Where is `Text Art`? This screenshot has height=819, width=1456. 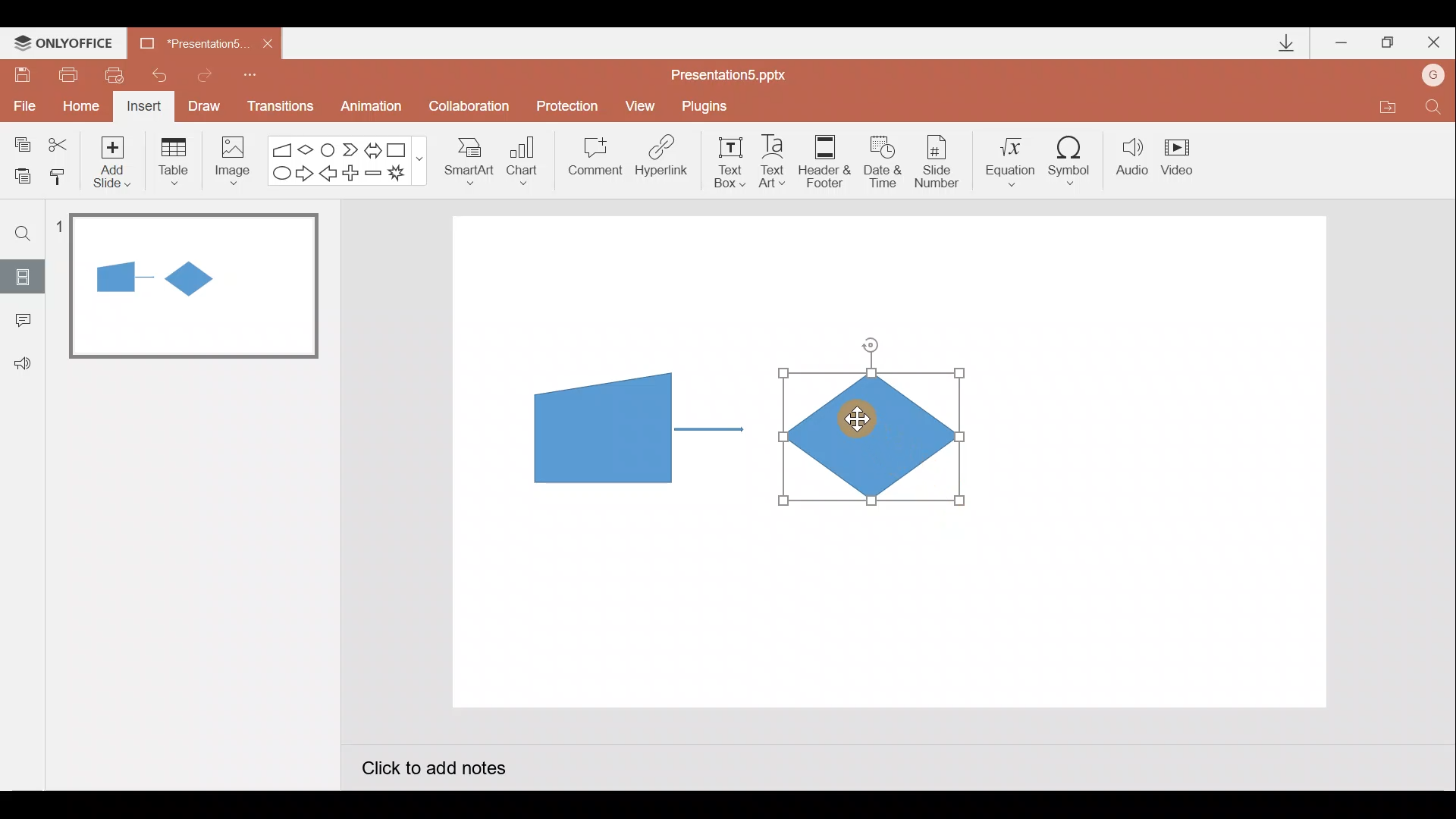 Text Art is located at coordinates (777, 161).